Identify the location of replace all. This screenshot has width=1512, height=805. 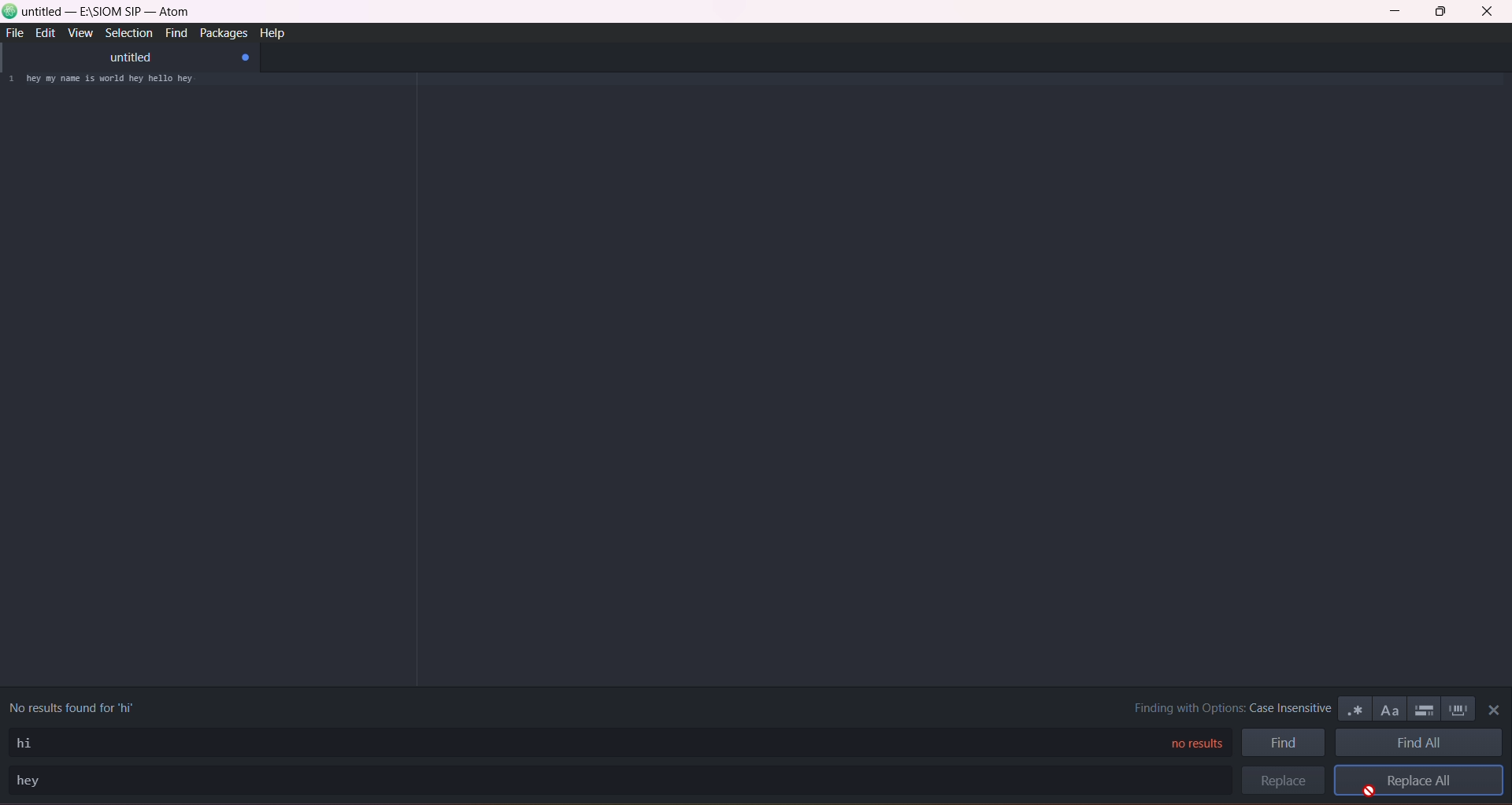
(1419, 780).